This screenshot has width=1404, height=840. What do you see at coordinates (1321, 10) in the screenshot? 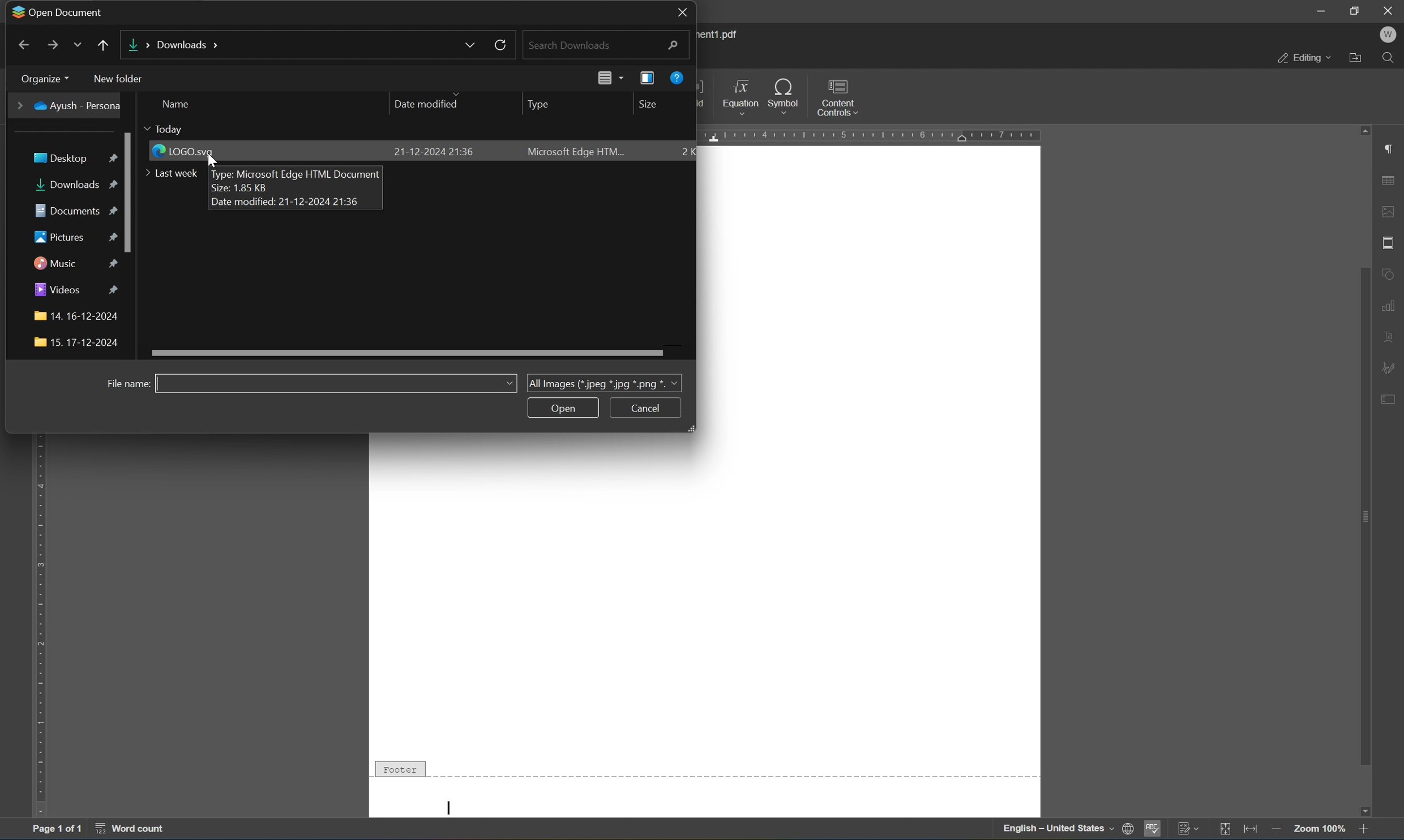
I see `minimize` at bounding box center [1321, 10].